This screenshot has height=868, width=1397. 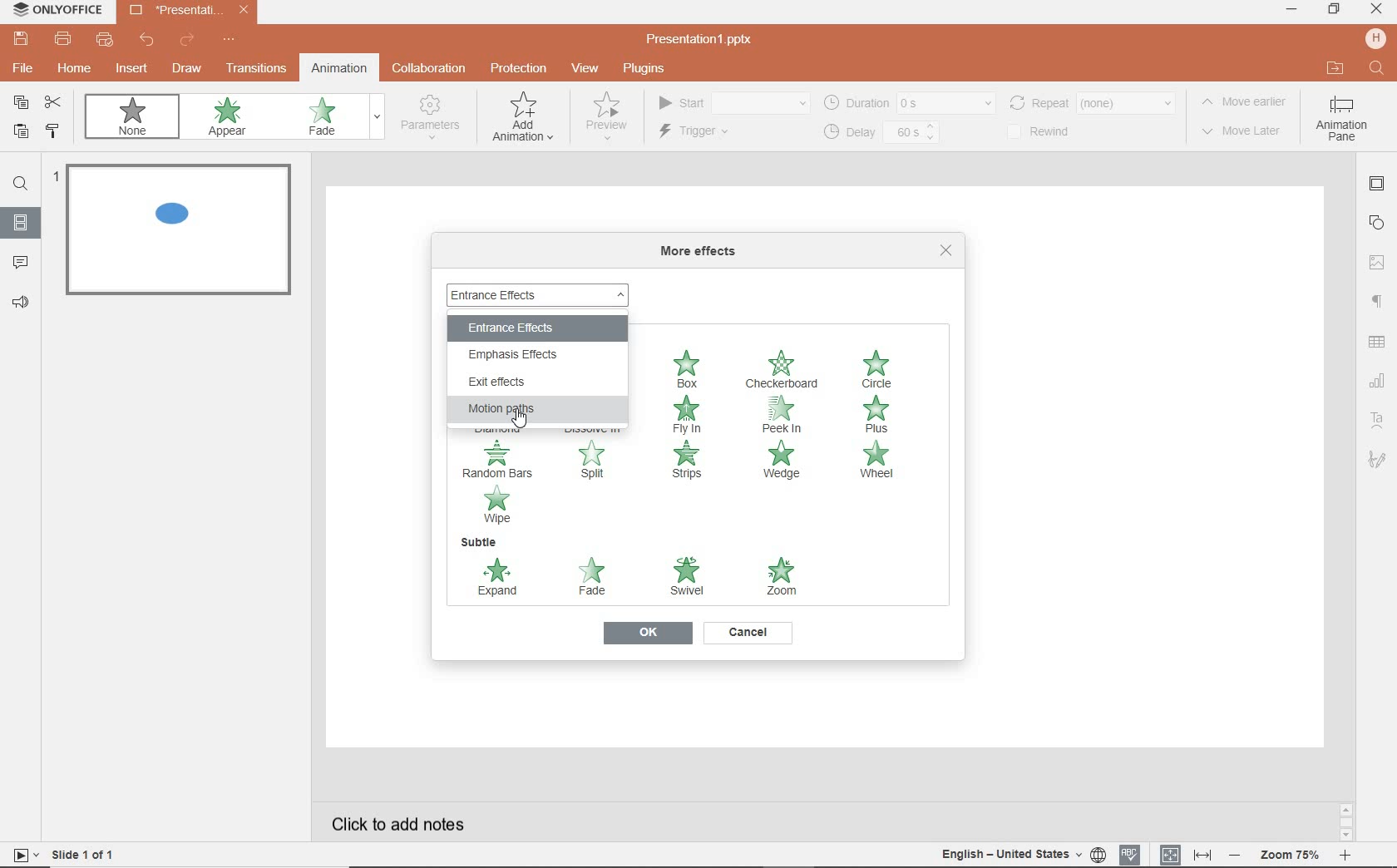 What do you see at coordinates (1246, 132) in the screenshot?
I see `move later` at bounding box center [1246, 132].